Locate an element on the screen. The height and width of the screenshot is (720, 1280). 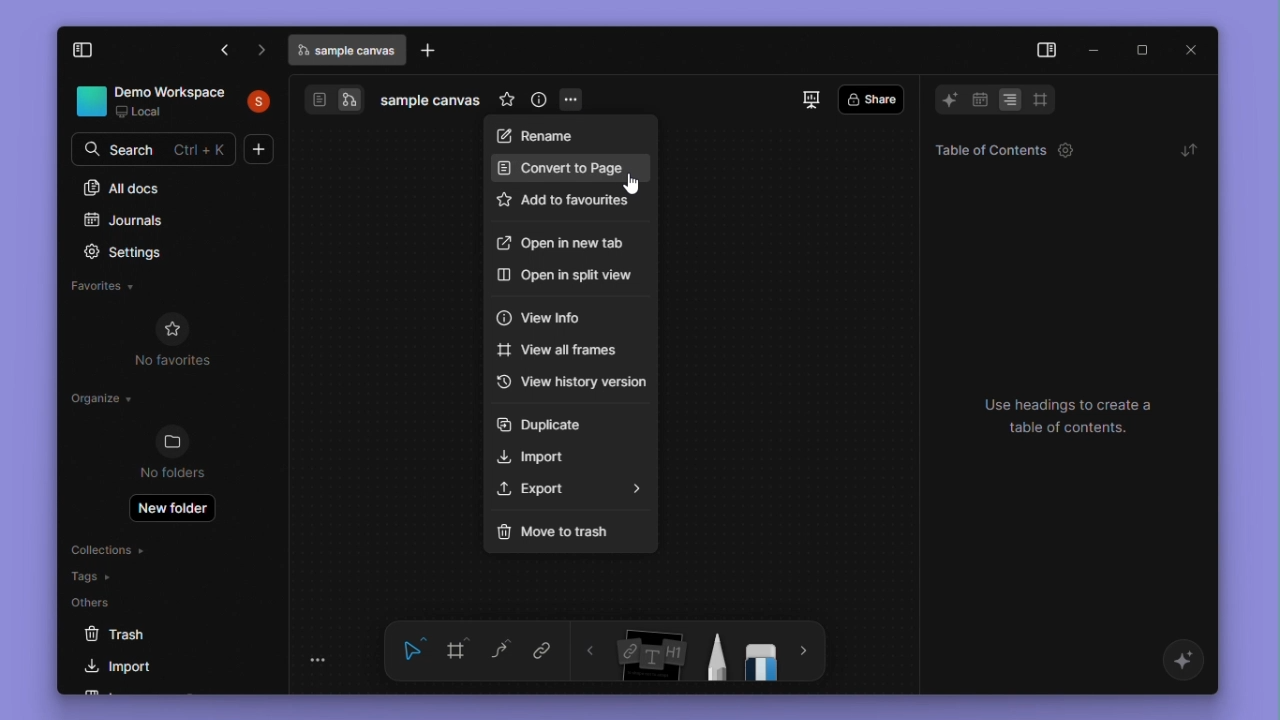
collapse side pane is located at coordinates (95, 51).